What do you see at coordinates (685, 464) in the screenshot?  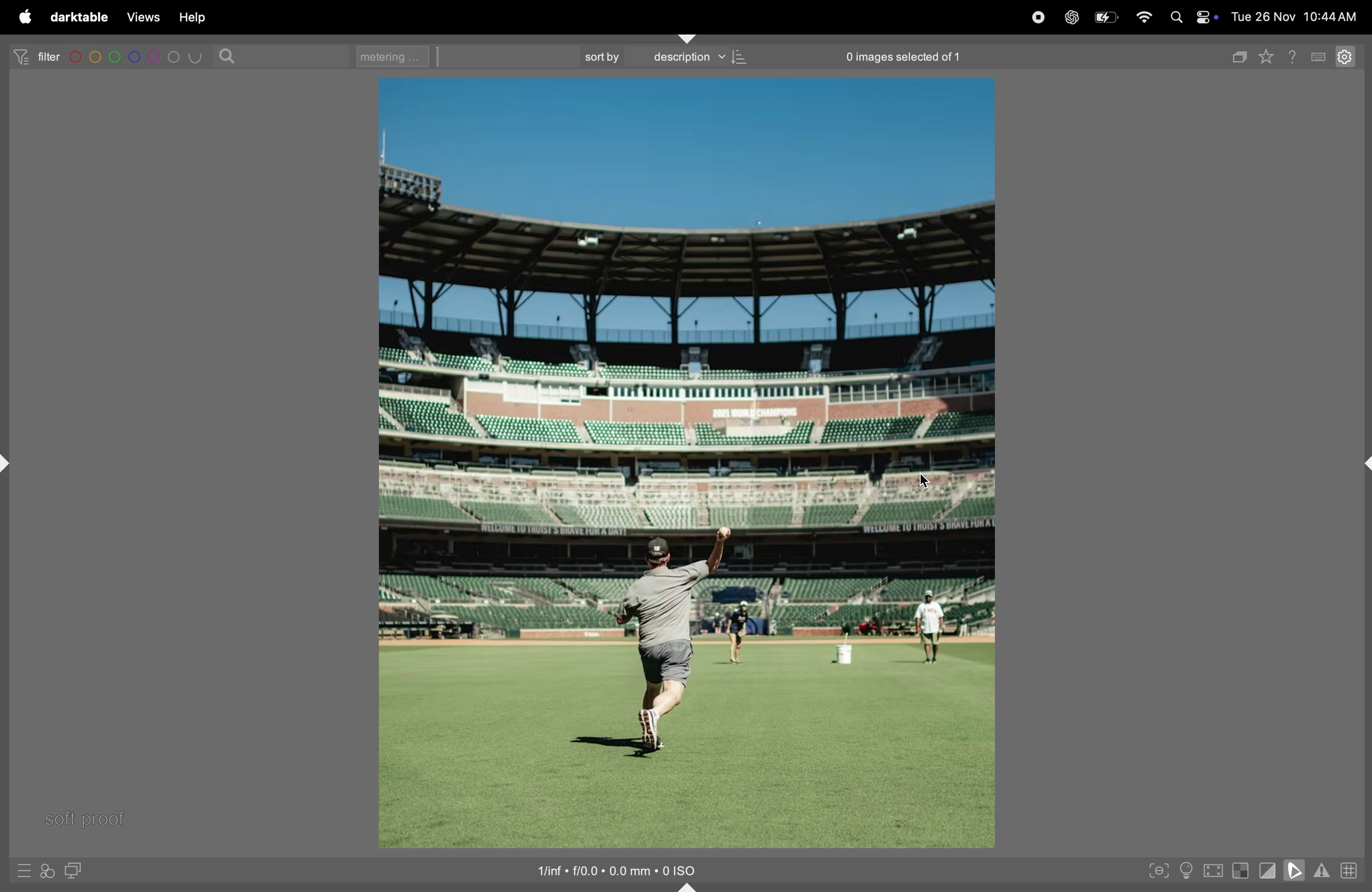 I see `image` at bounding box center [685, 464].